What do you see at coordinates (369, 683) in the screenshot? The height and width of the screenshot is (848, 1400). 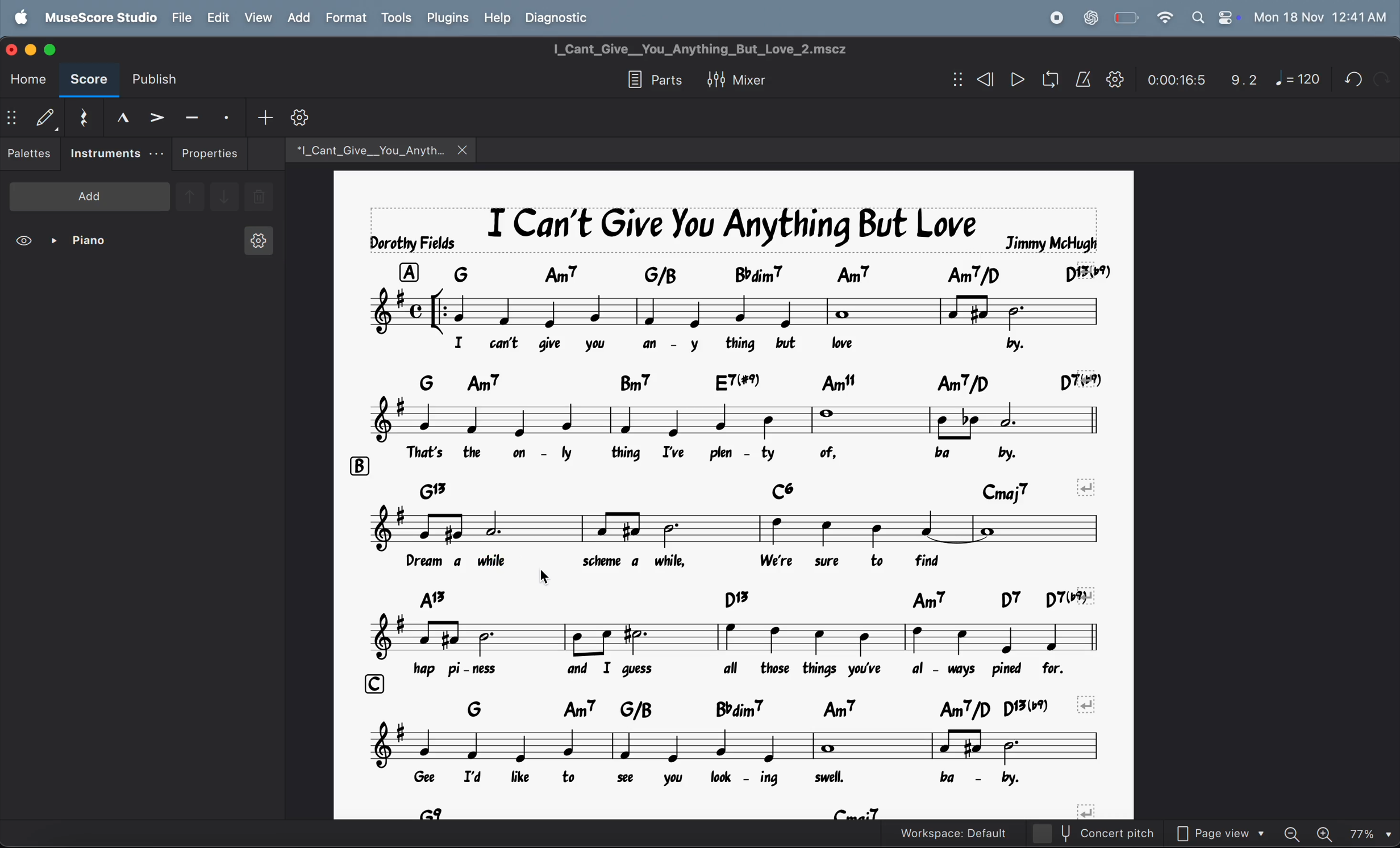 I see `row` at bounding box center [369, 683].